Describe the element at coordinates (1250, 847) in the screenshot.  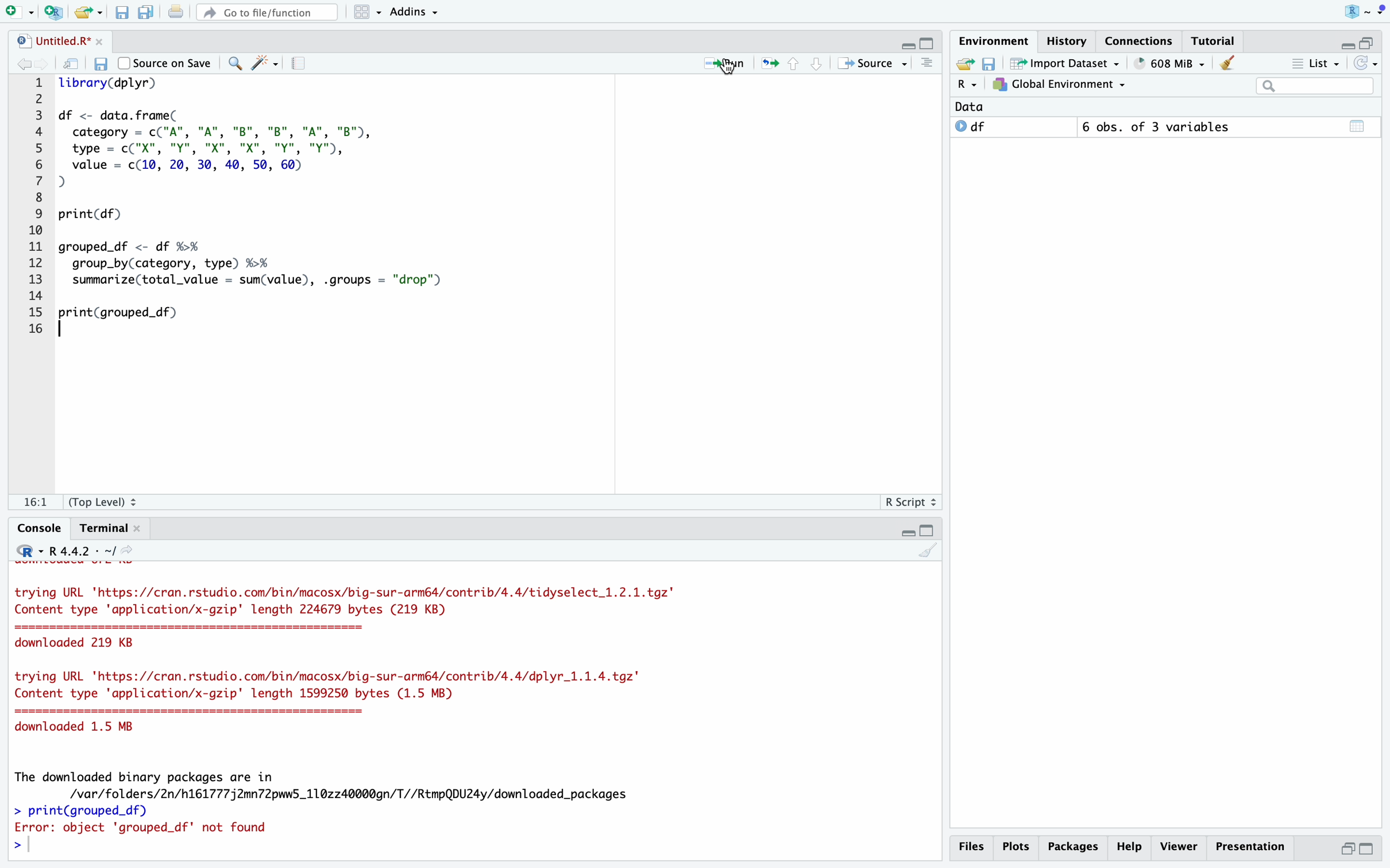
I see `Presentation` at that location.